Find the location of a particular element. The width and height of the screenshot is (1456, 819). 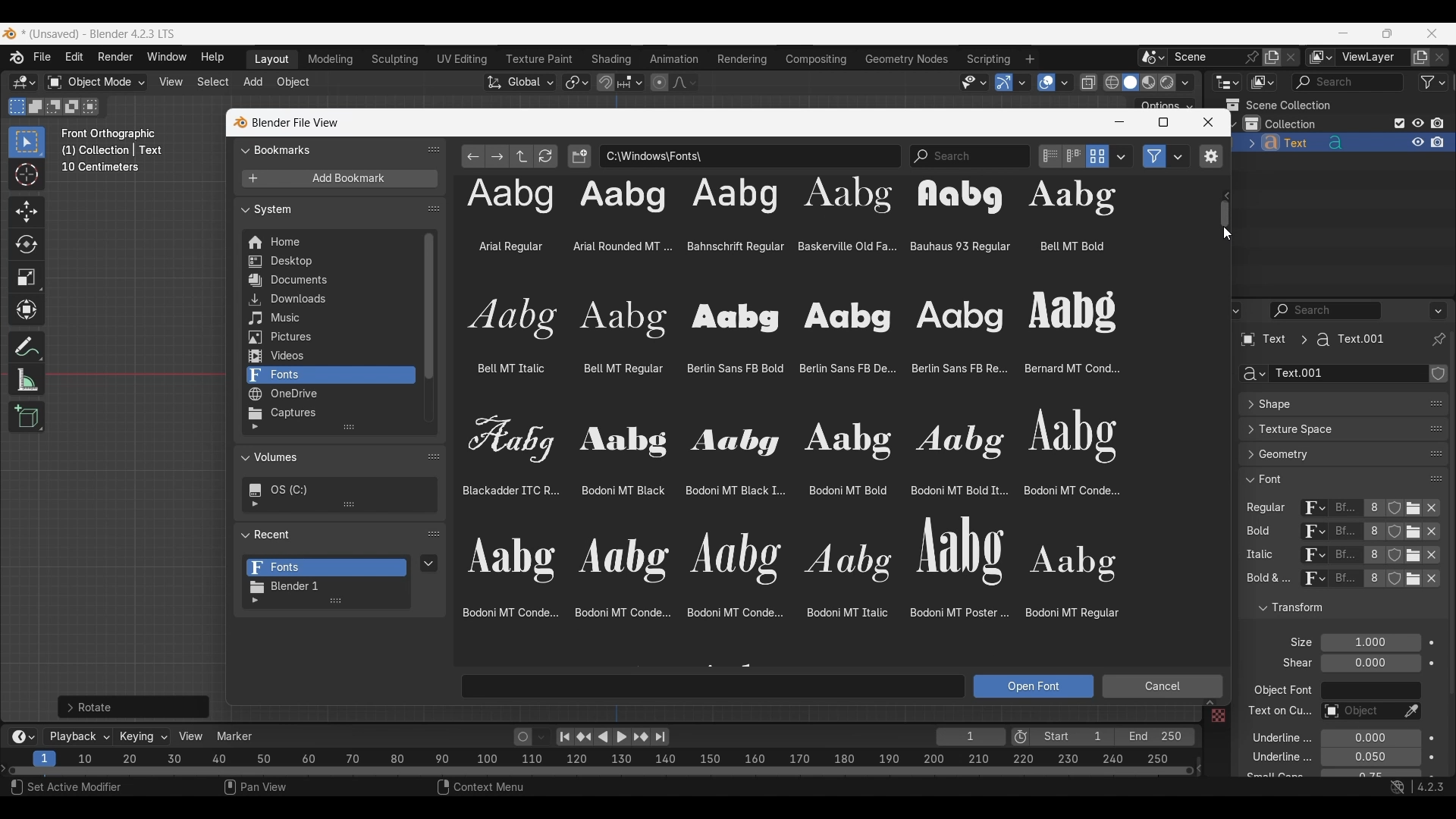

Transform pivot point is located at coordinates (576, 83).